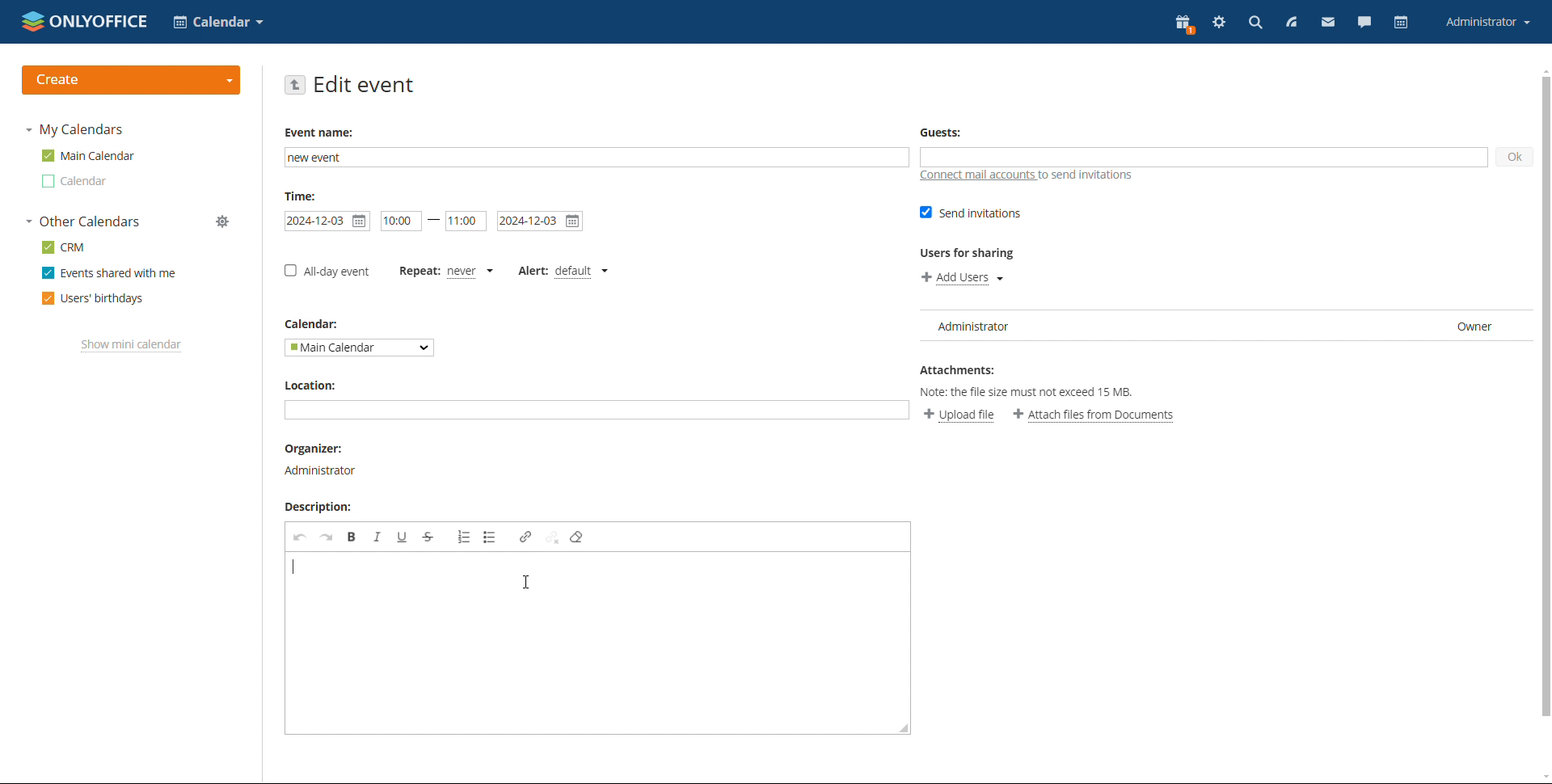 The image size is (1552, 784). What do you see at coordinates (445, 273) in the screenshot?
I see `set repetition` at bounding box center [445, 273].